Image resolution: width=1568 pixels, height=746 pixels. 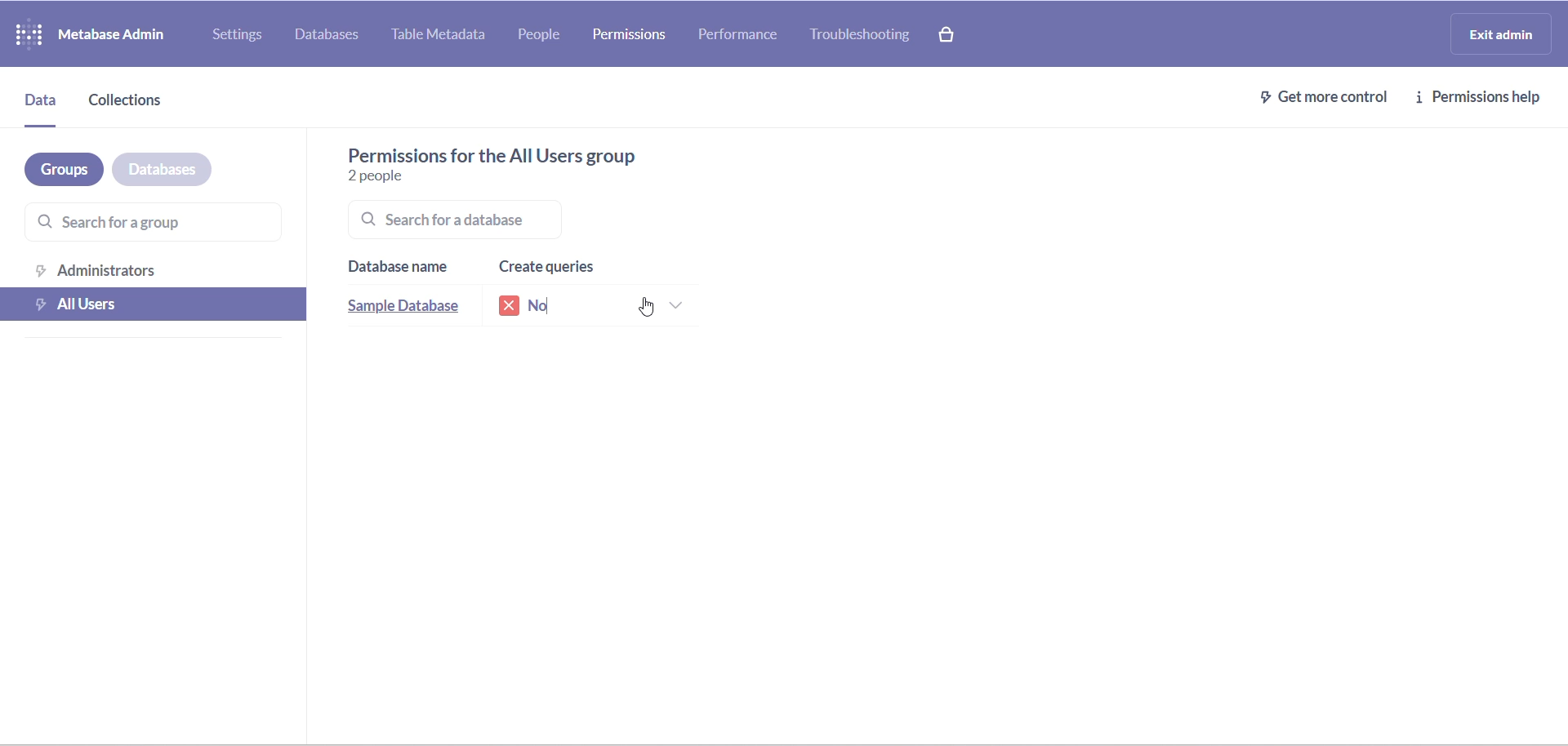 I want to click on exit admin logo, so click(x=1506, y=36).